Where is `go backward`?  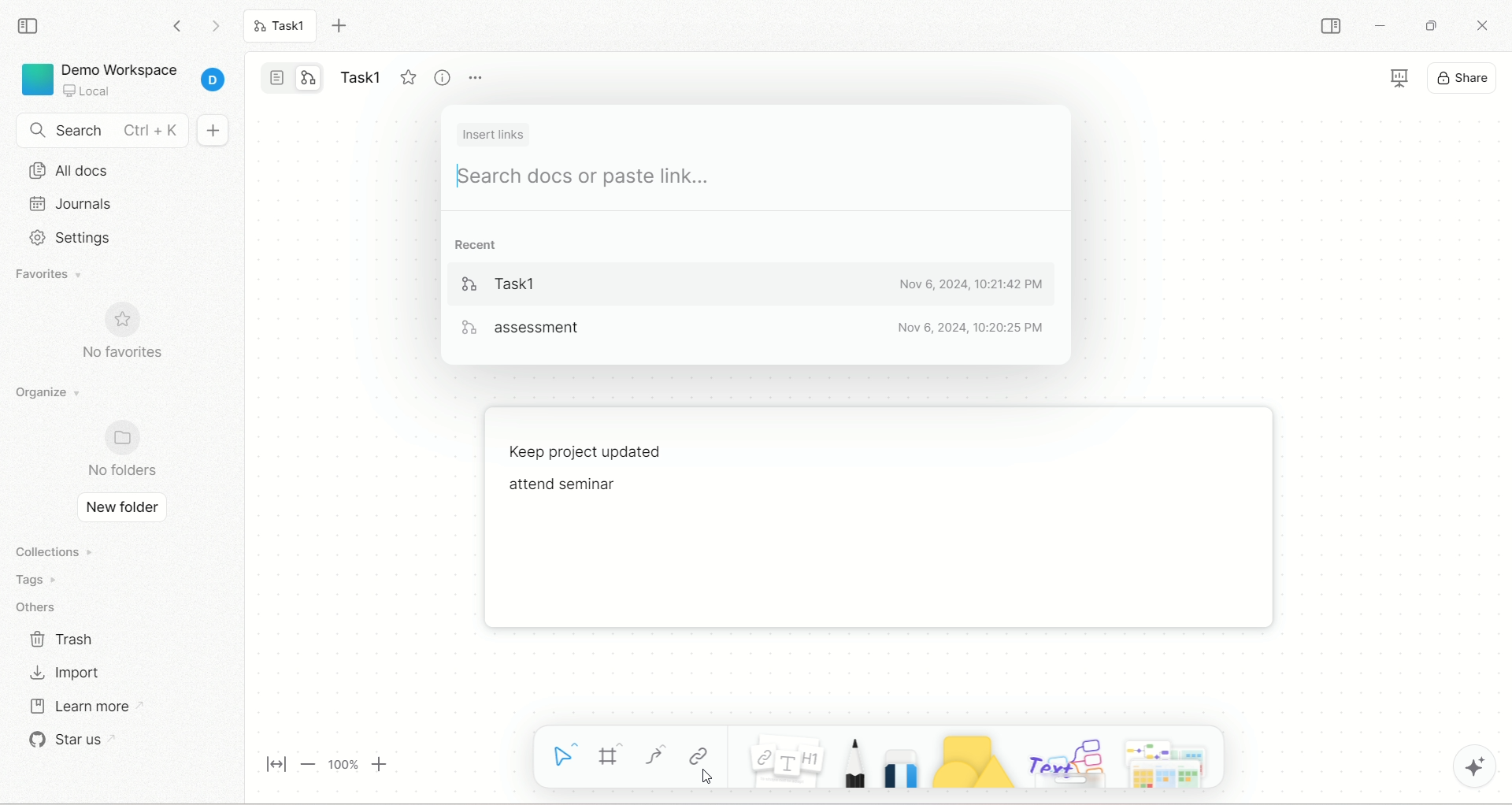
go backward is located at coordinates (176, 24).